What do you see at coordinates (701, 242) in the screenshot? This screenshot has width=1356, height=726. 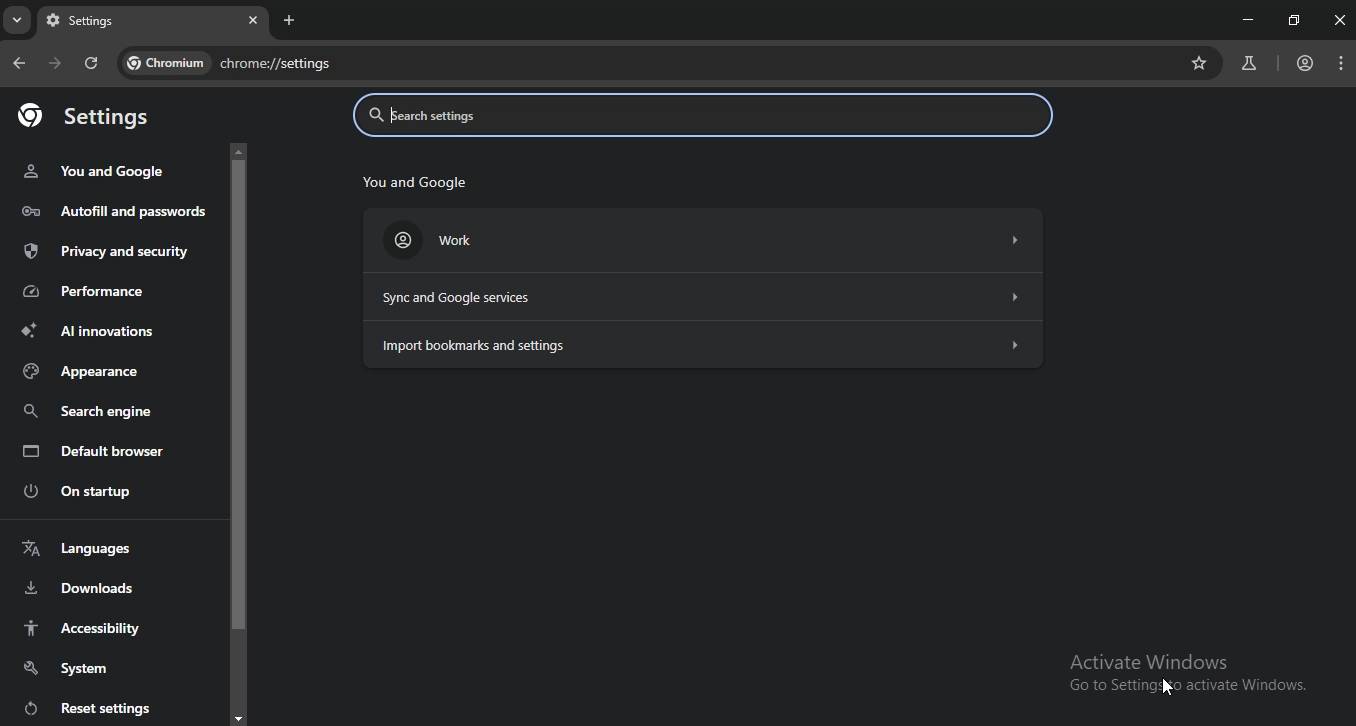 I see `work` at bounding box center [701, 242].